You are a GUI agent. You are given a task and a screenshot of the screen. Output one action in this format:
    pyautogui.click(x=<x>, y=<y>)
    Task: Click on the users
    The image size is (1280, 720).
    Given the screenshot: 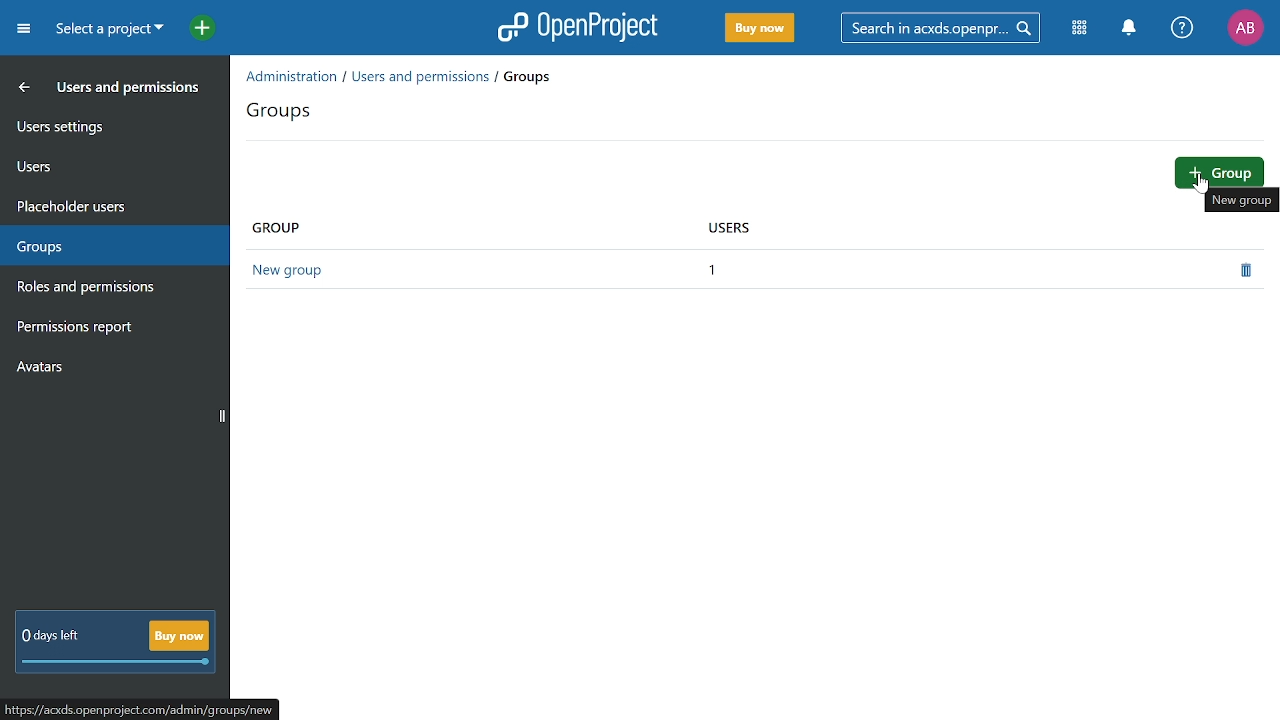 What is the action you would take?
    pyautogui.click(x=103, y=165)
    